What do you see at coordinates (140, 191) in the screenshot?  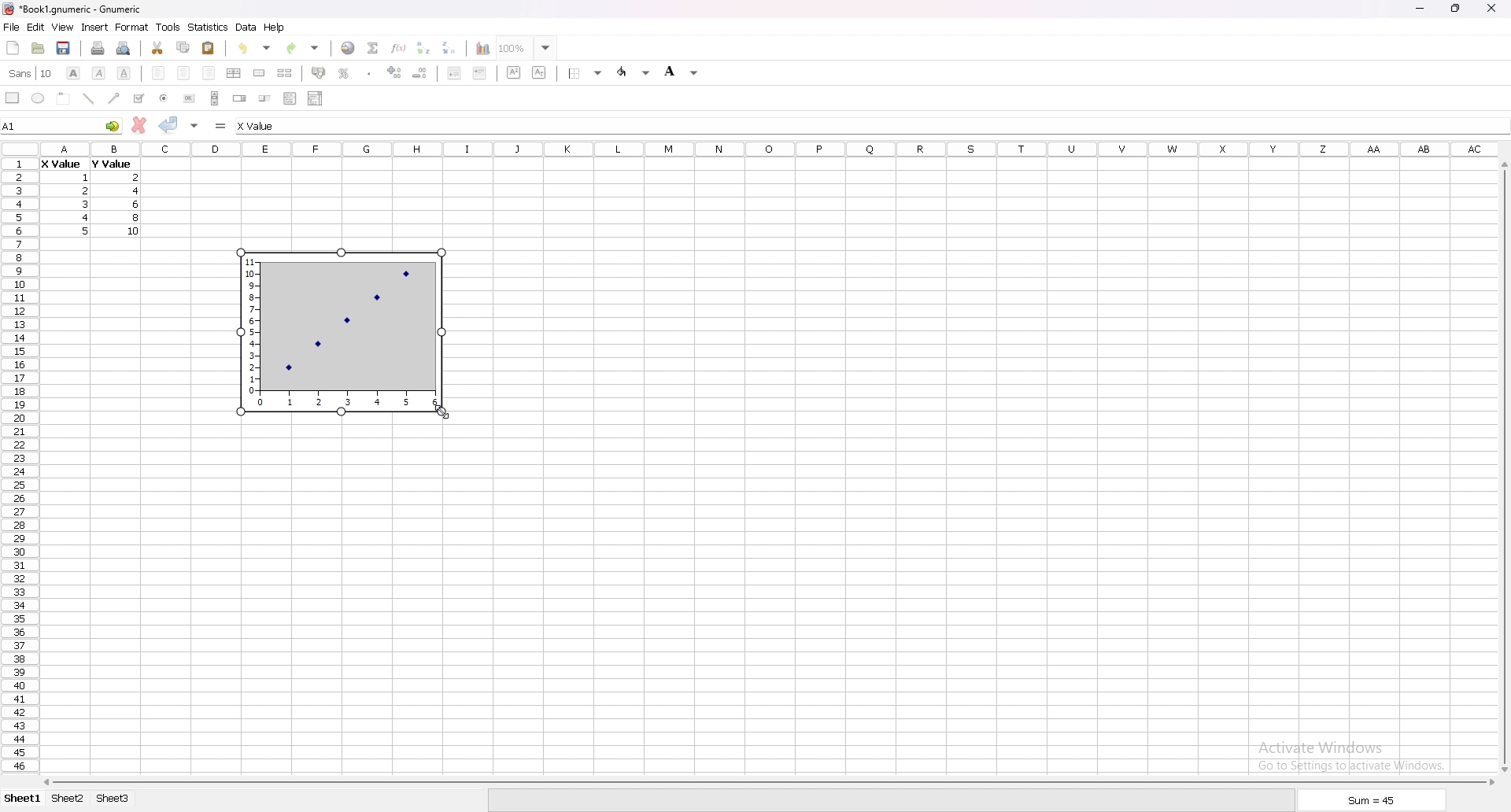 I see `value` at bounding box center [140, 191].